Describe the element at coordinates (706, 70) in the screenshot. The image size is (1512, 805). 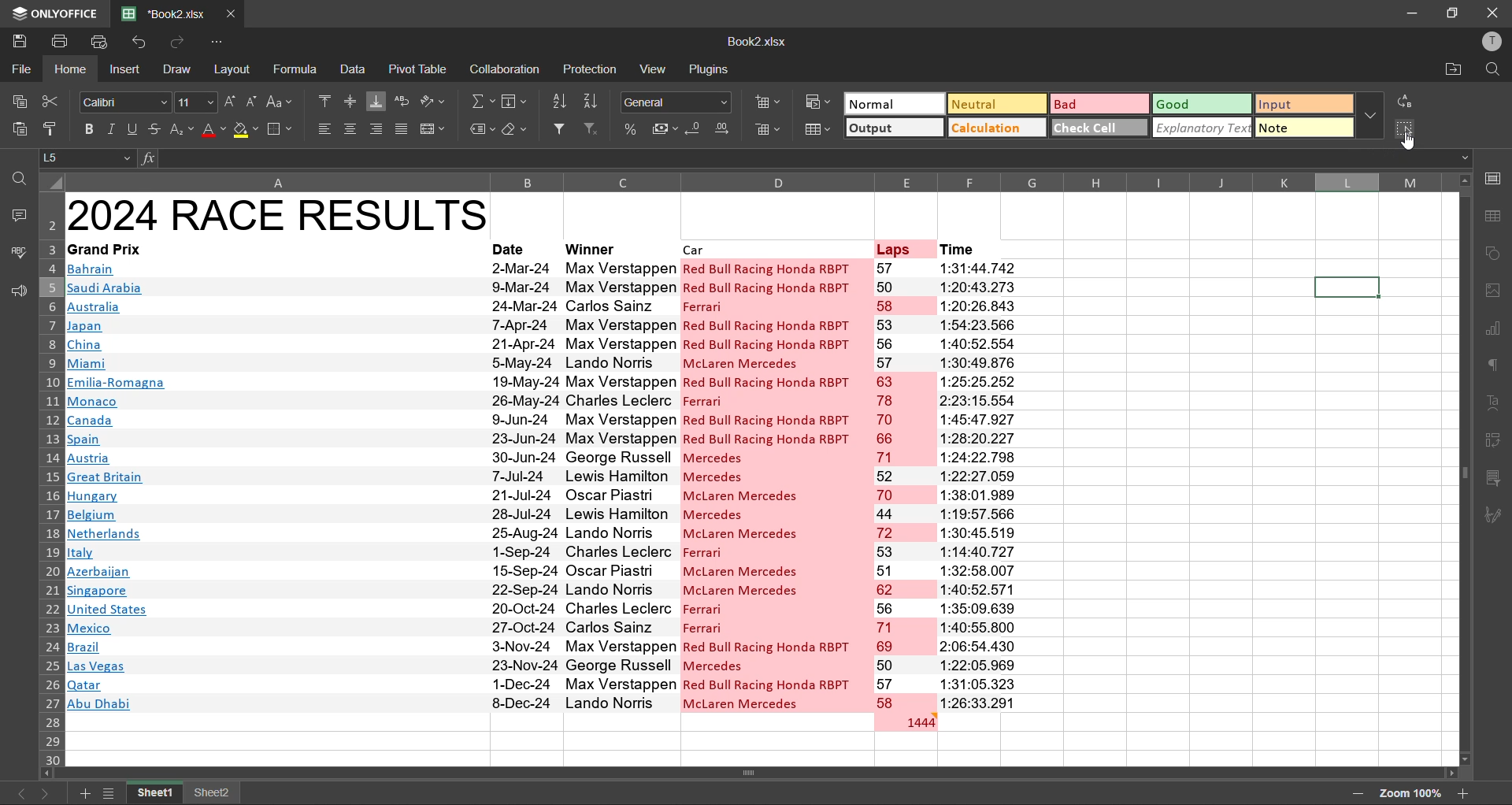
I see `plugins` at that location.